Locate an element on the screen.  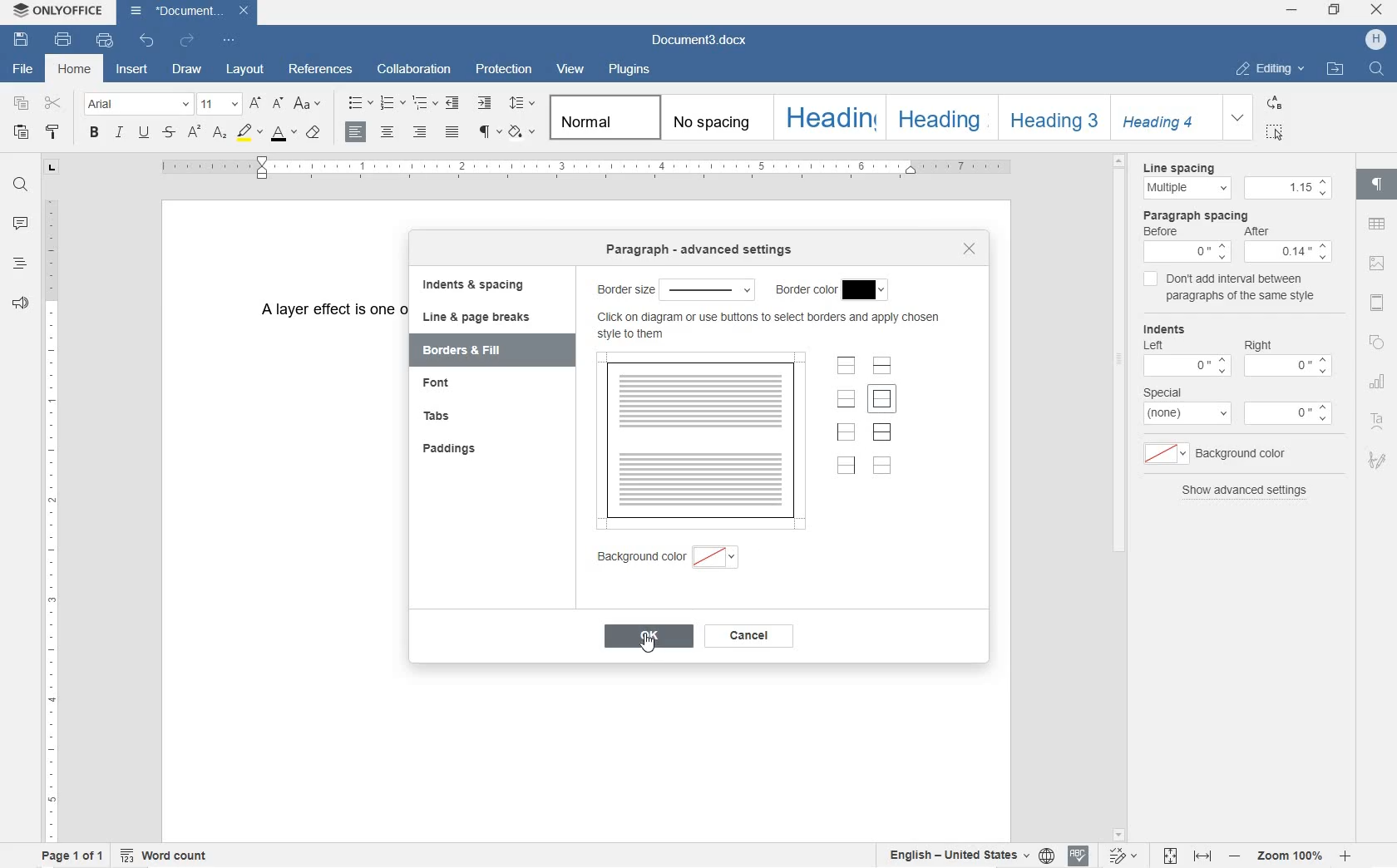
set right border only is located at coordinates (845, 467).